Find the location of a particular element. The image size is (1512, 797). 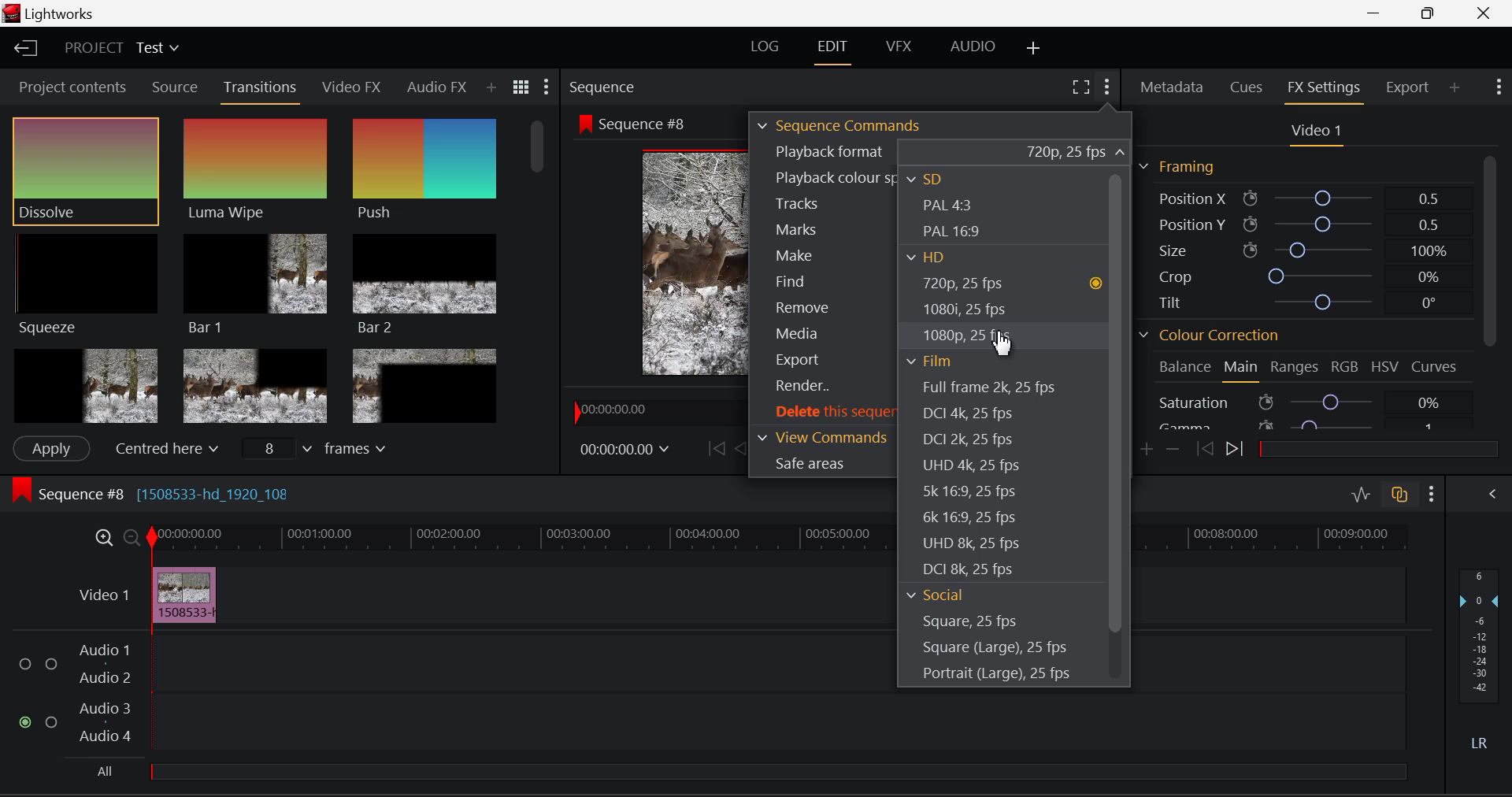

Project Title is located at coordinates (119, 47).